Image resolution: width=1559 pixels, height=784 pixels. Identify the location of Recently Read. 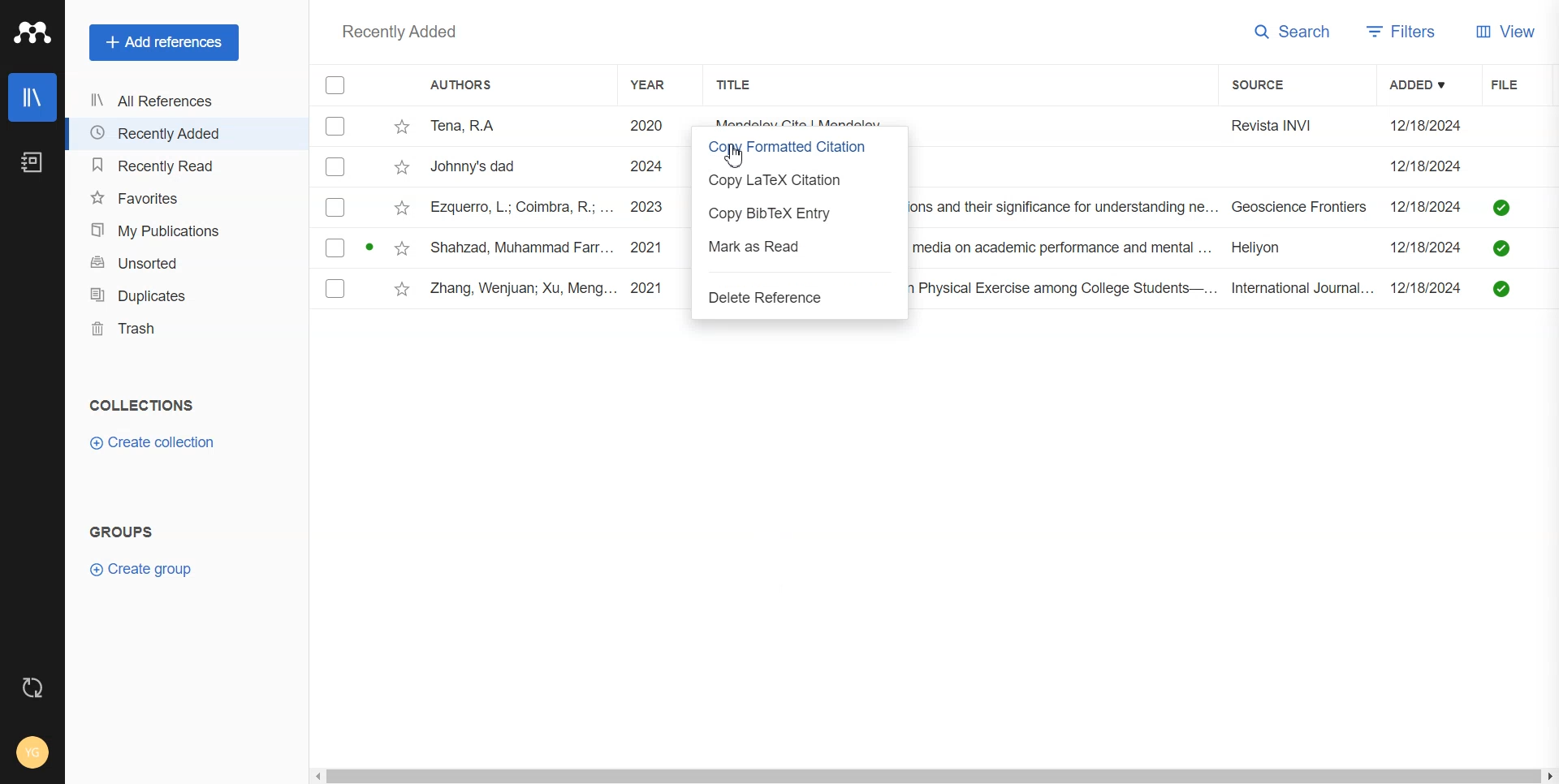
(184, 166).